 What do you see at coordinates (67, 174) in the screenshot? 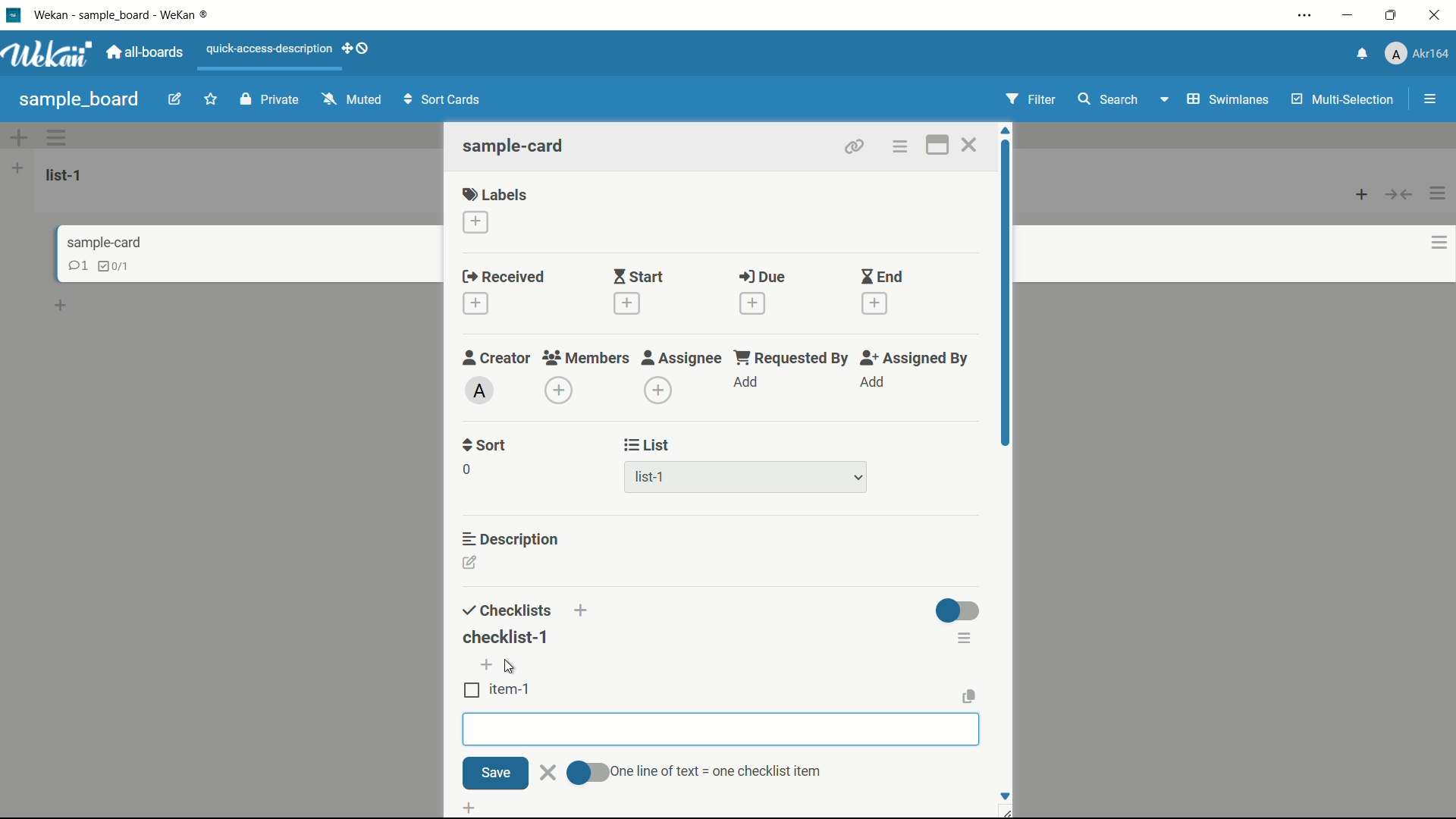
I see `list-1` at bounding box center [67, 174].